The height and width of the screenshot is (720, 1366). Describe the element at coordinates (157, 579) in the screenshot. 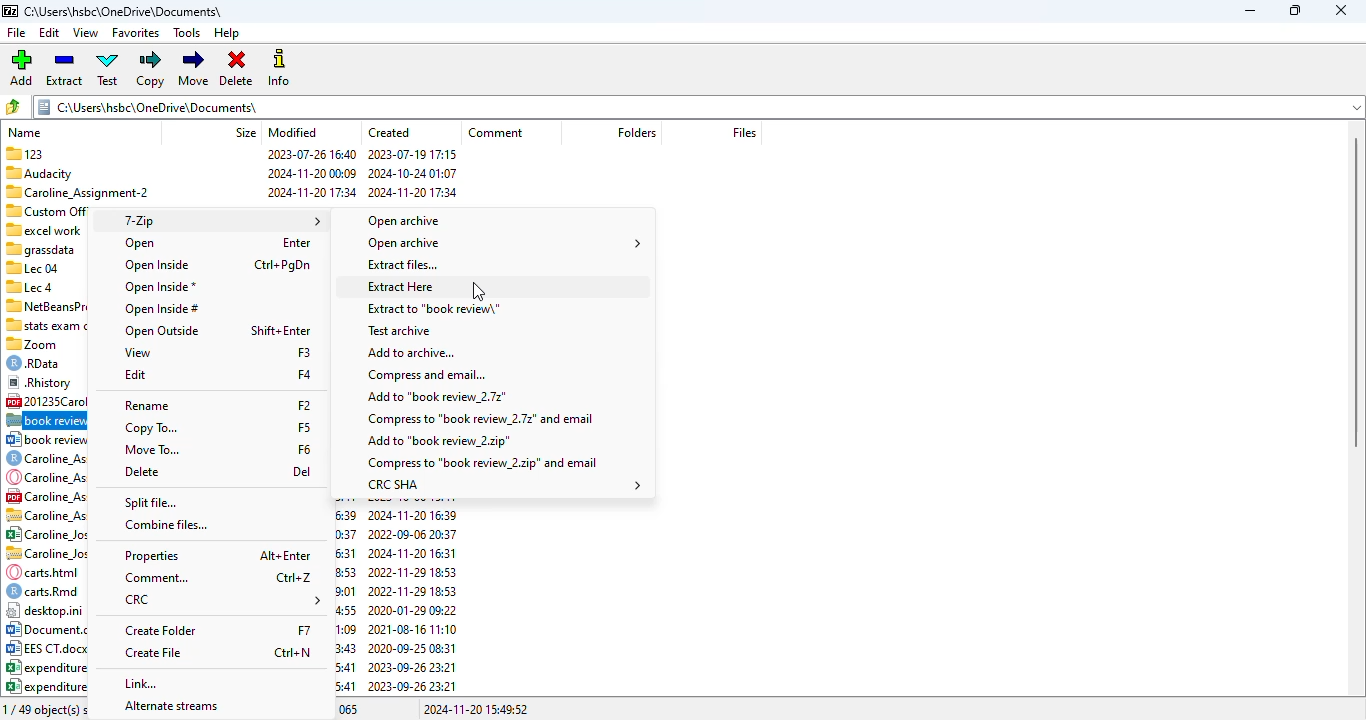

I see `comment` at that location.